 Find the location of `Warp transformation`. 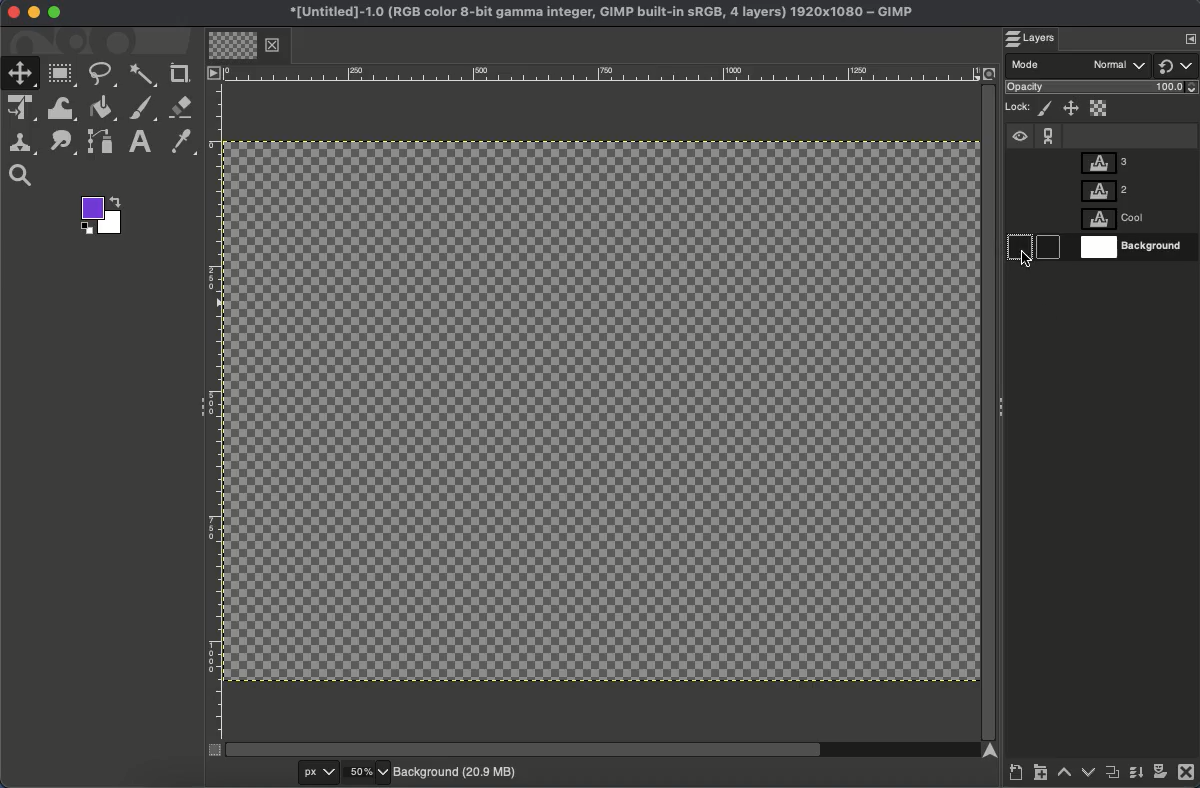

Warp transformation is located at coordinates (63, 110).